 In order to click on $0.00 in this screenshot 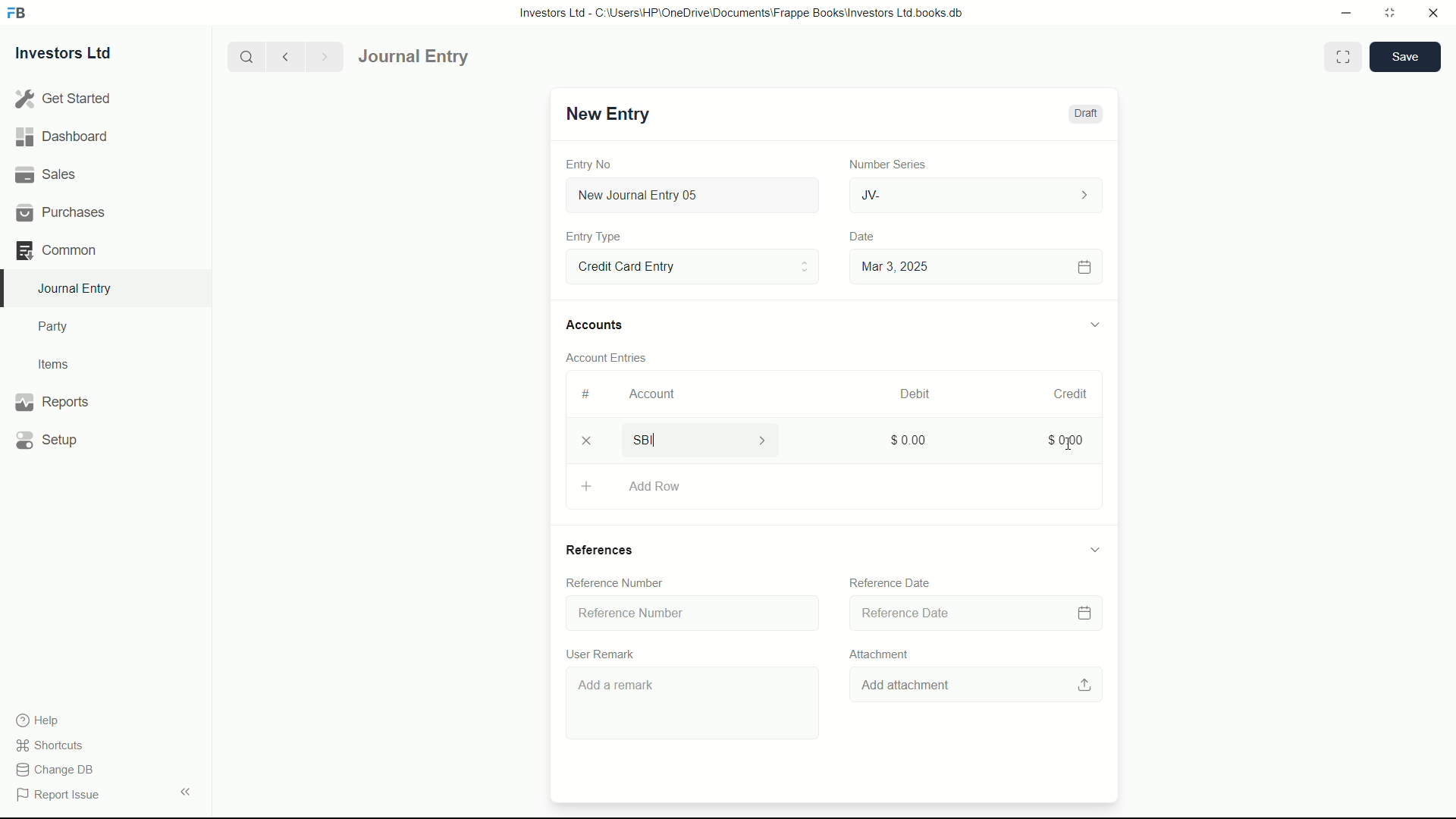, I will do `click(905, 439)`.